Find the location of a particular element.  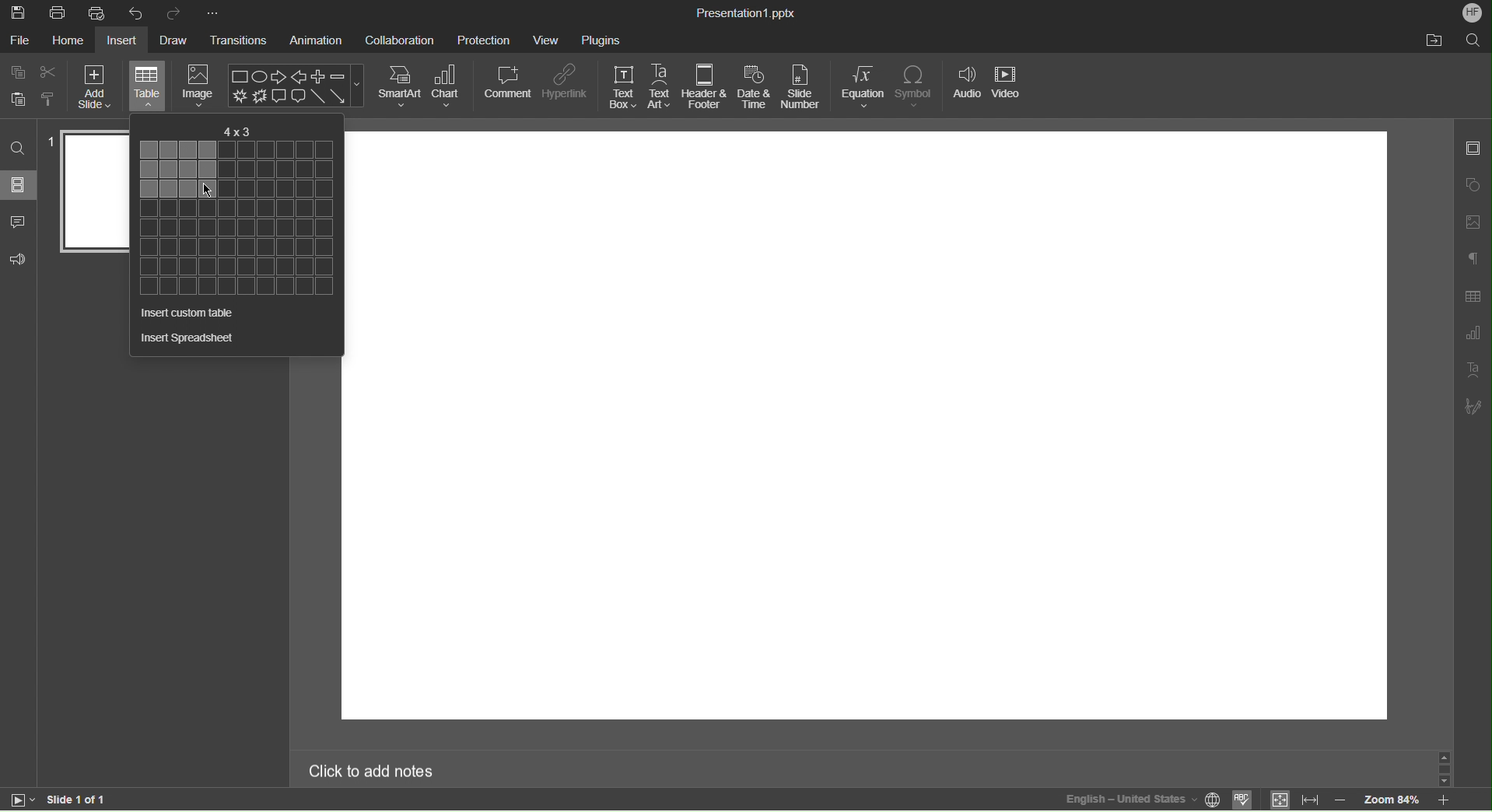

Tables is located at coordinates (235, 218).